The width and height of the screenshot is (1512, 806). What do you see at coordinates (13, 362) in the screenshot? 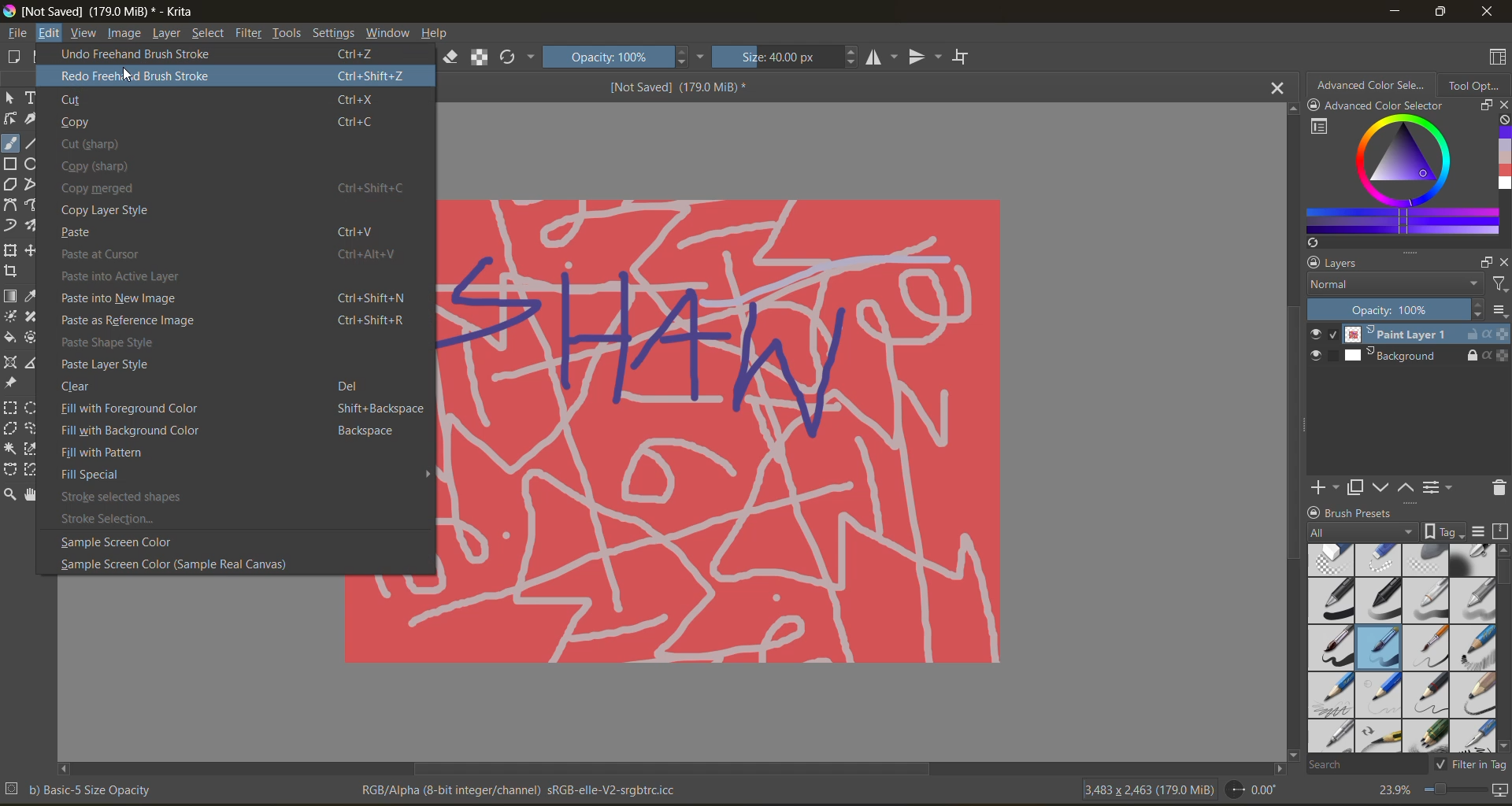
I see `Assistant tool` at bounding box center [13, 362].